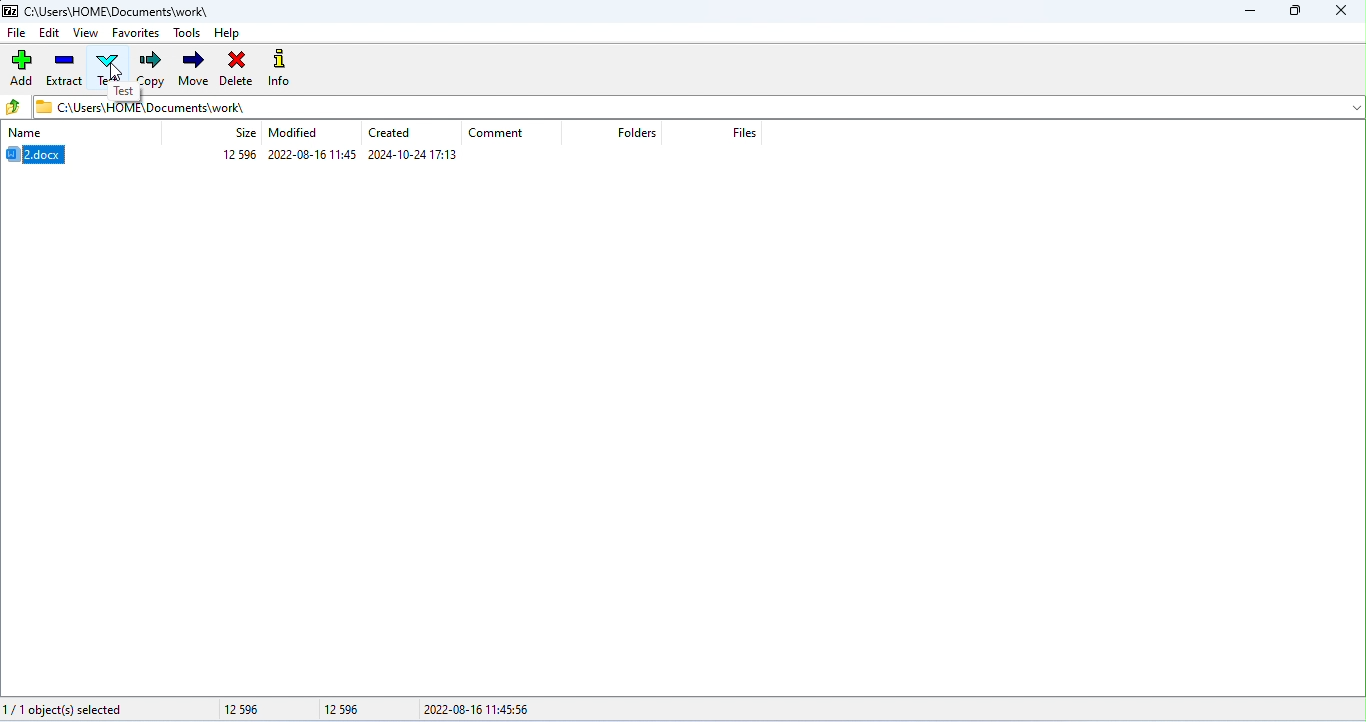  Describe the element at coordinates (41, 155) in the screenshot. I see `2.dox` at that location.